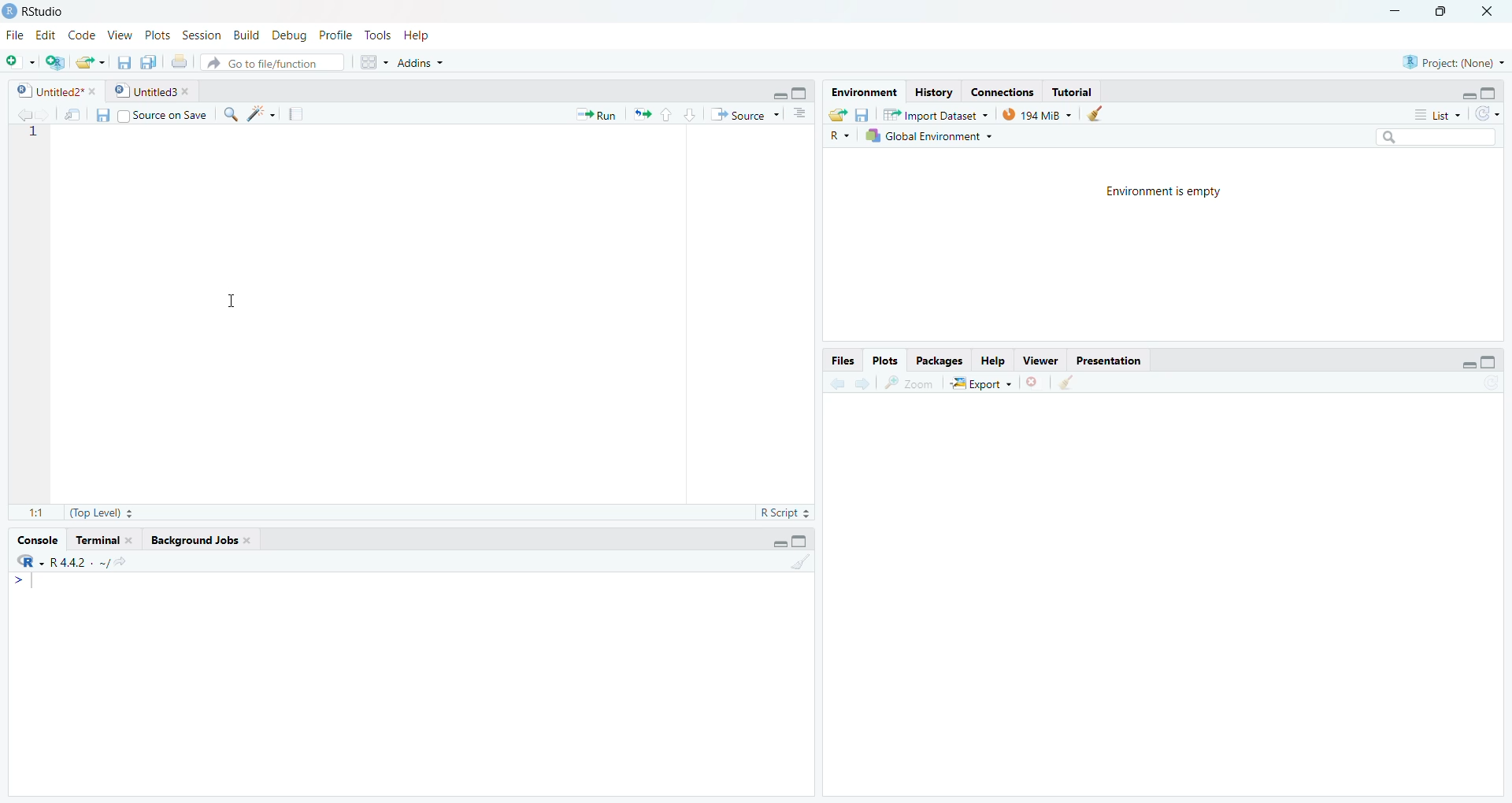 The height and width of the screenshot is (803, 1512). I want to click on code tools, so click(263, 113).